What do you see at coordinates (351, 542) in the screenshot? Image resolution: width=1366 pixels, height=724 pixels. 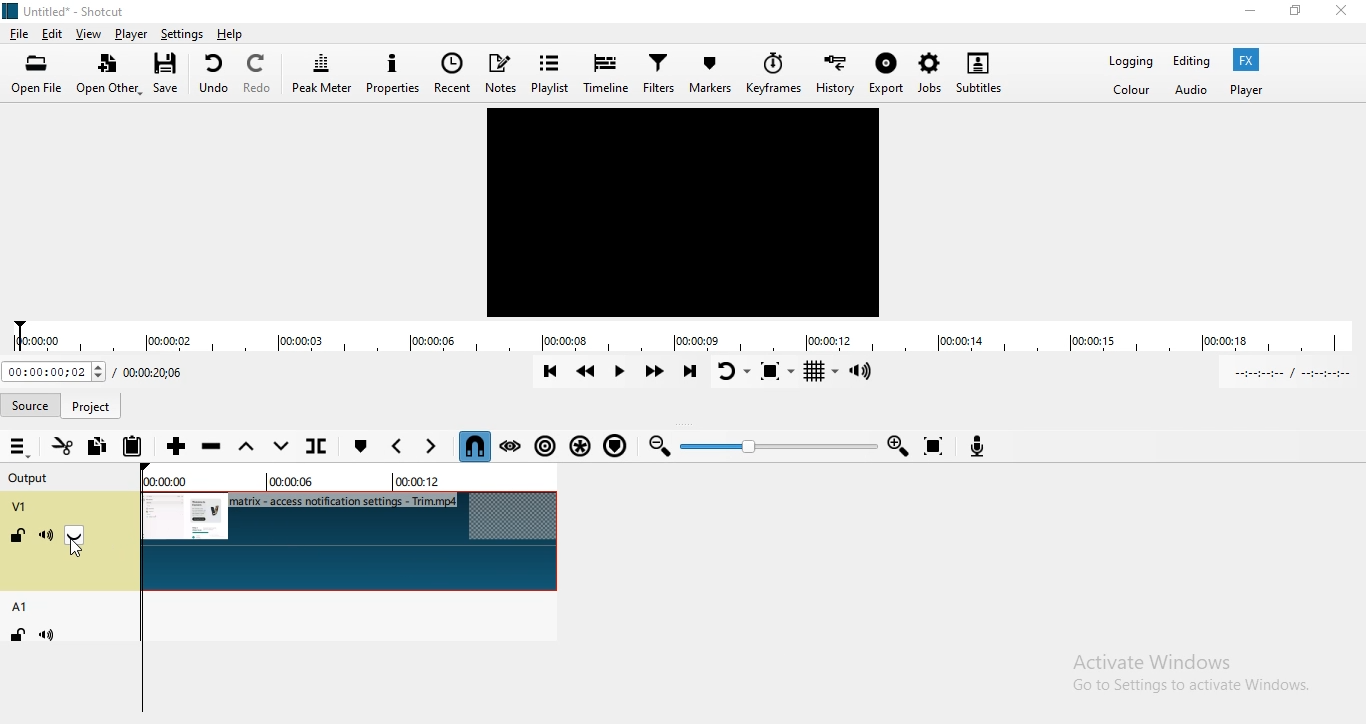 I see `Video track` at bounding box center [351, 542].